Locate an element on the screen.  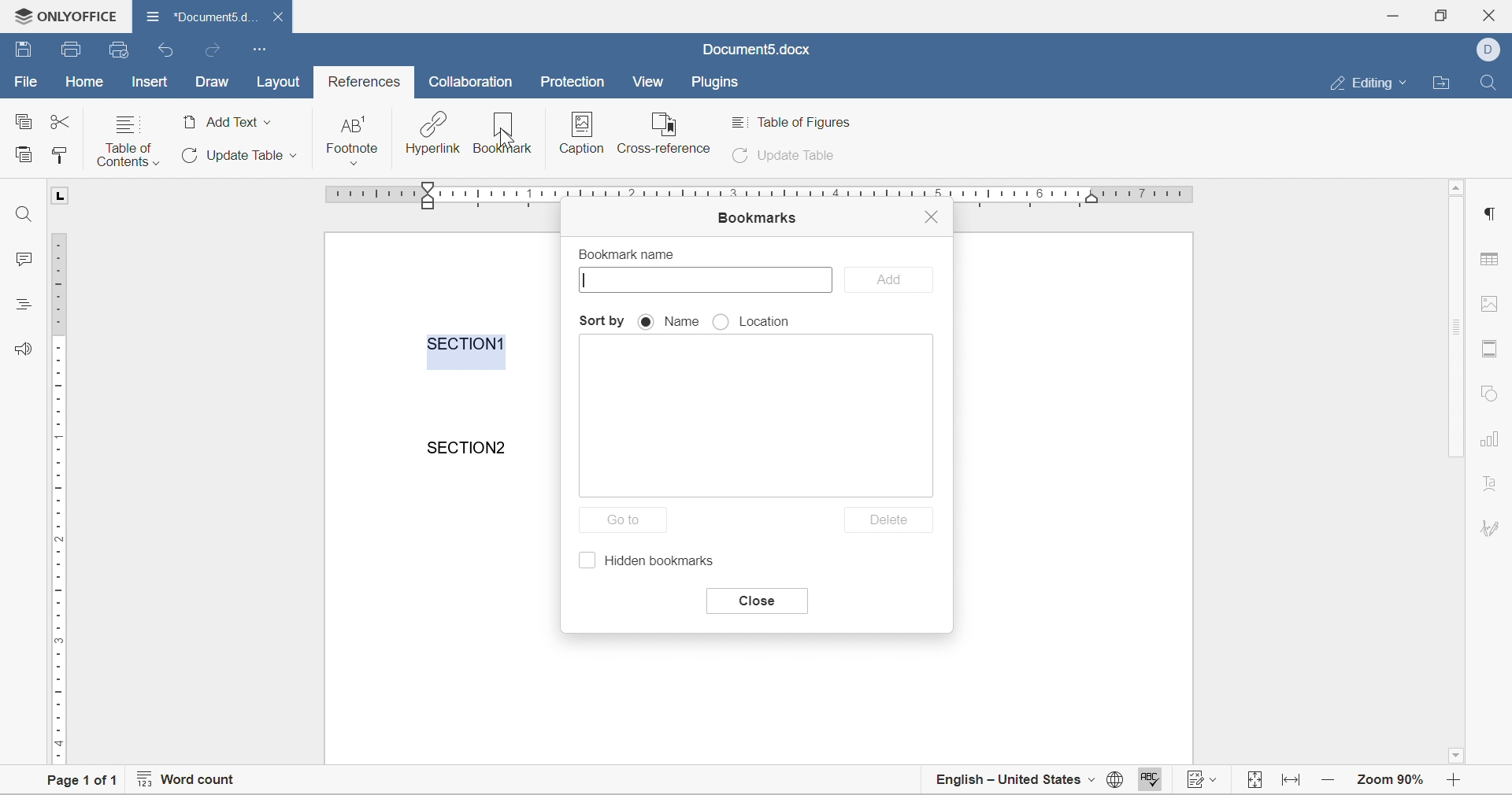
update table is located at coordinates (236, 155).